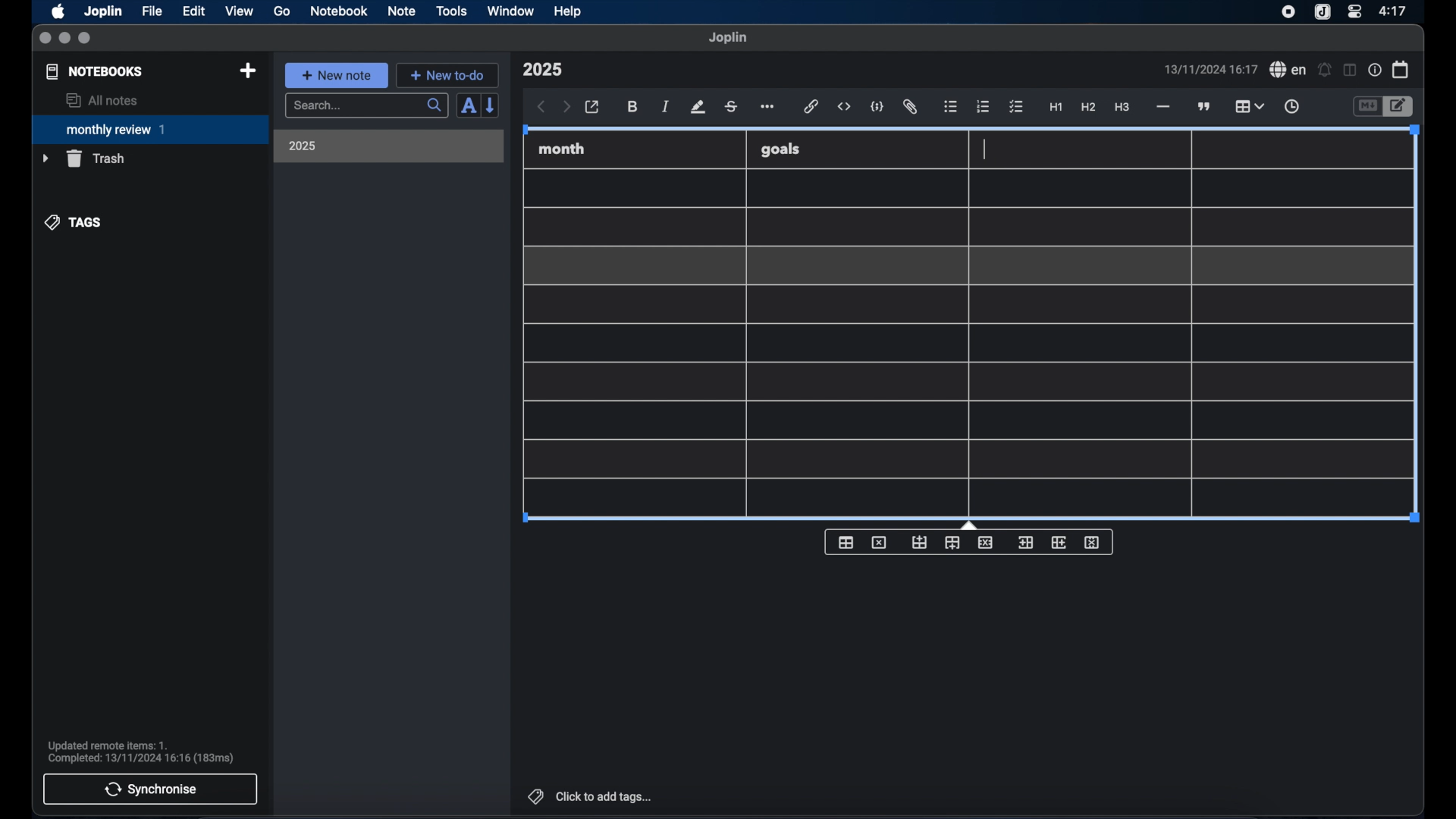 The image size is (1456, 819). I want to click on tags, so click(74, 222).